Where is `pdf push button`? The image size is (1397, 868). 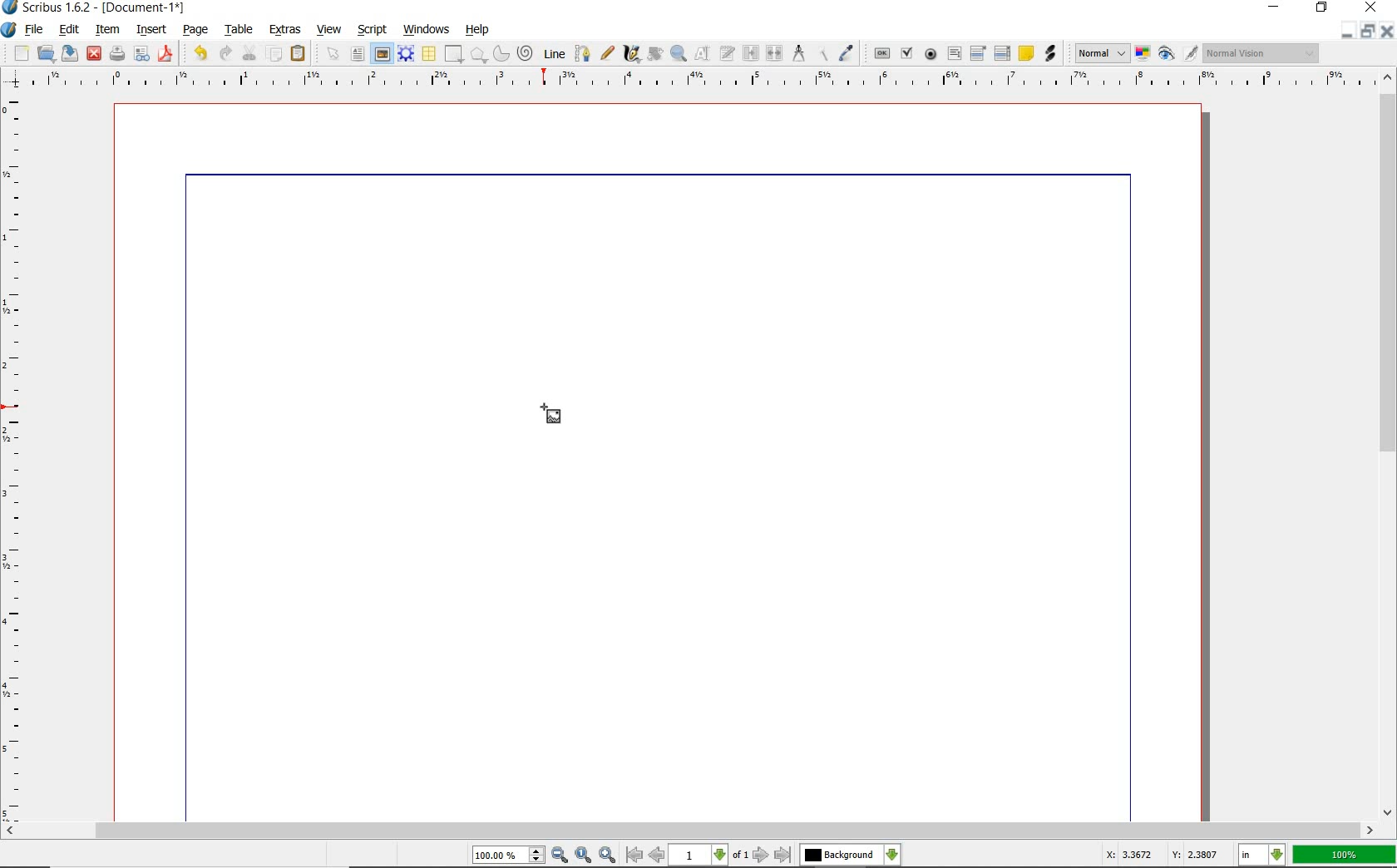
pdf push button is located at coordinates (881, 55).